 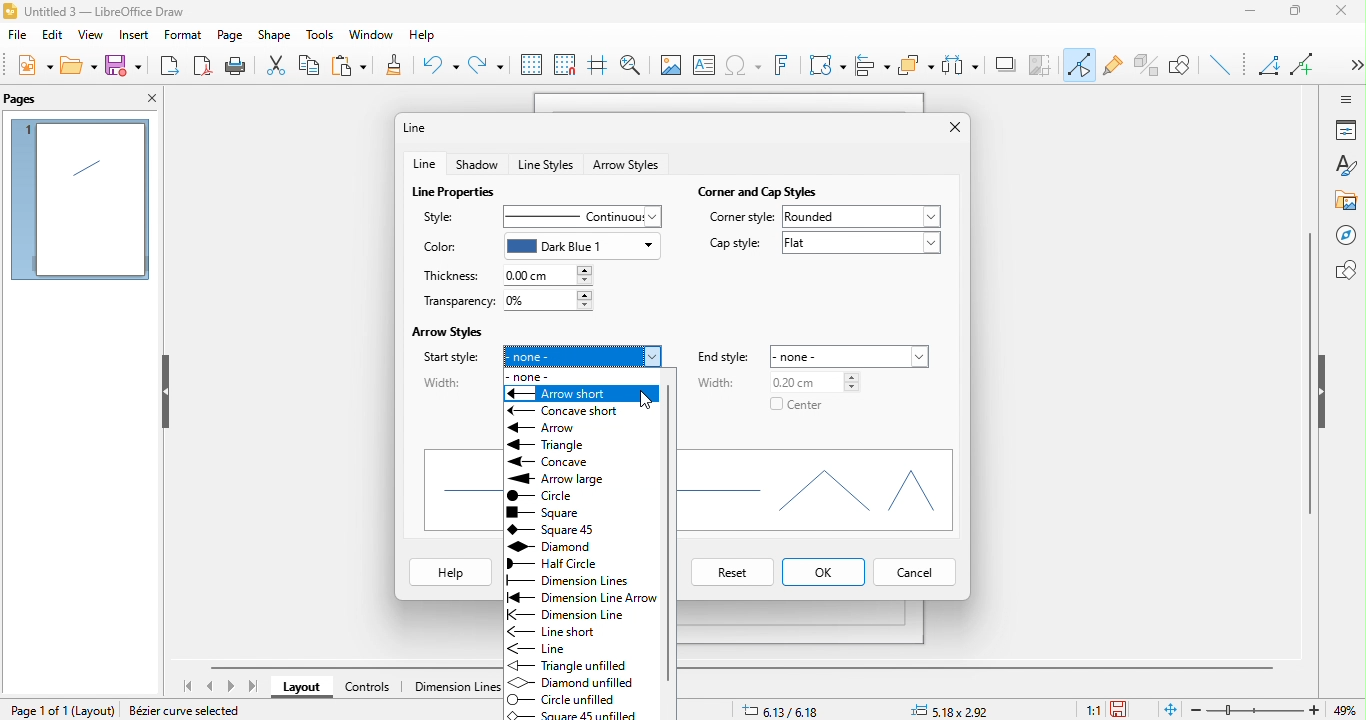 What do you see at coordinates (1224, 66) in the screenshot?
I see `insert line` at bounding box center [1224, 66].